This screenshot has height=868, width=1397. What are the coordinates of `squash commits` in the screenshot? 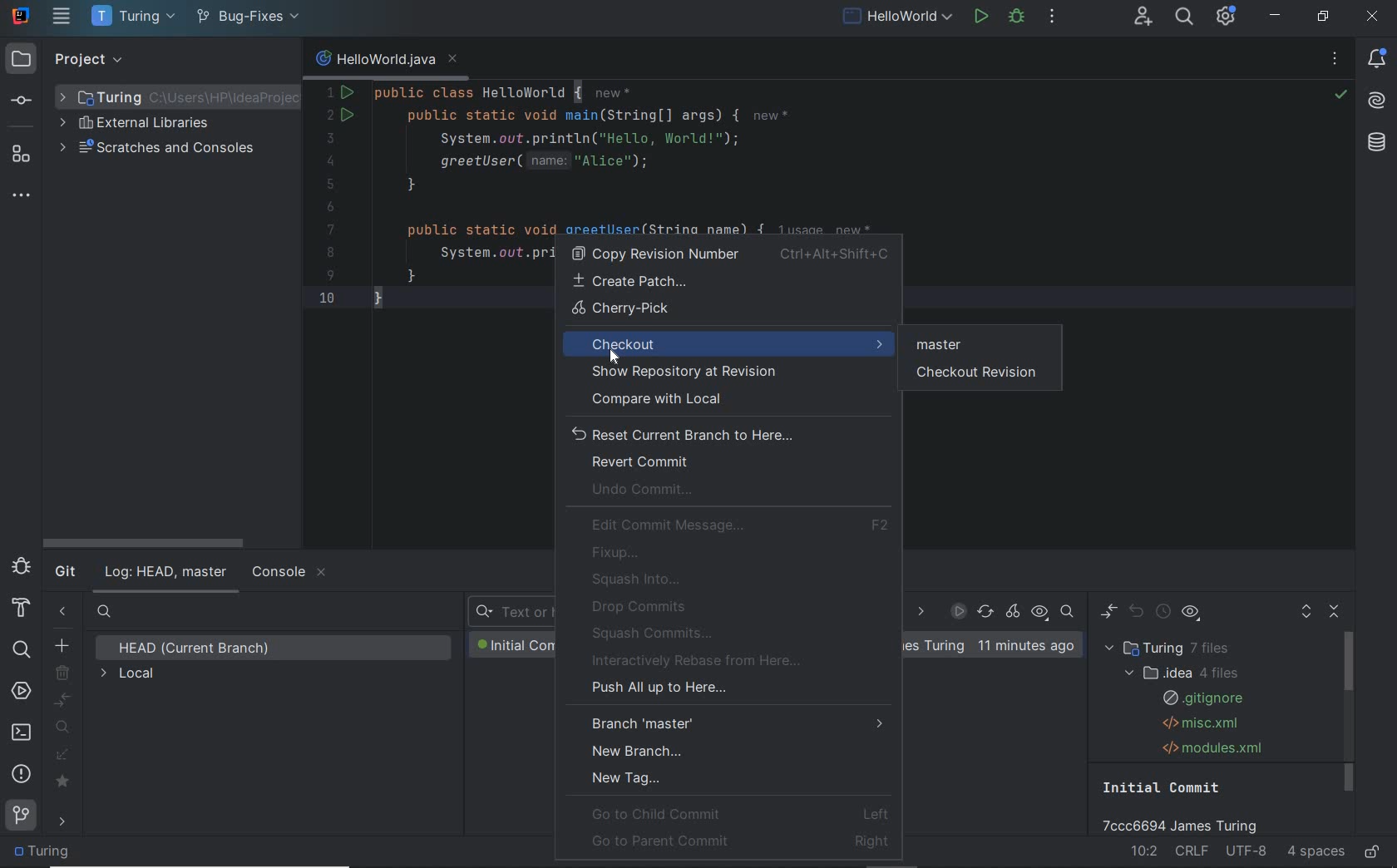 It's located at (655, 633).